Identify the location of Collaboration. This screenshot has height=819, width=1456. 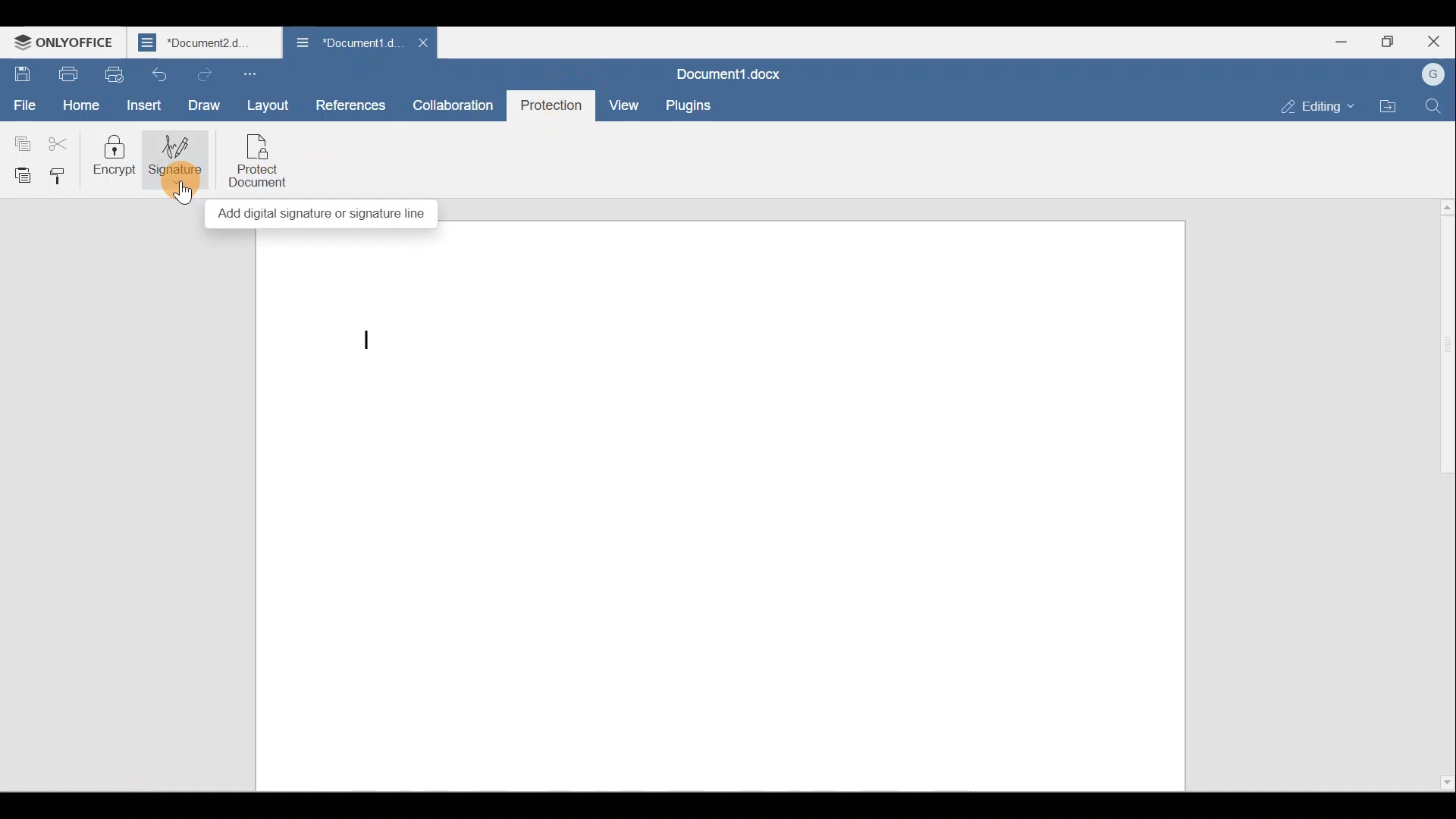
(453, 105).